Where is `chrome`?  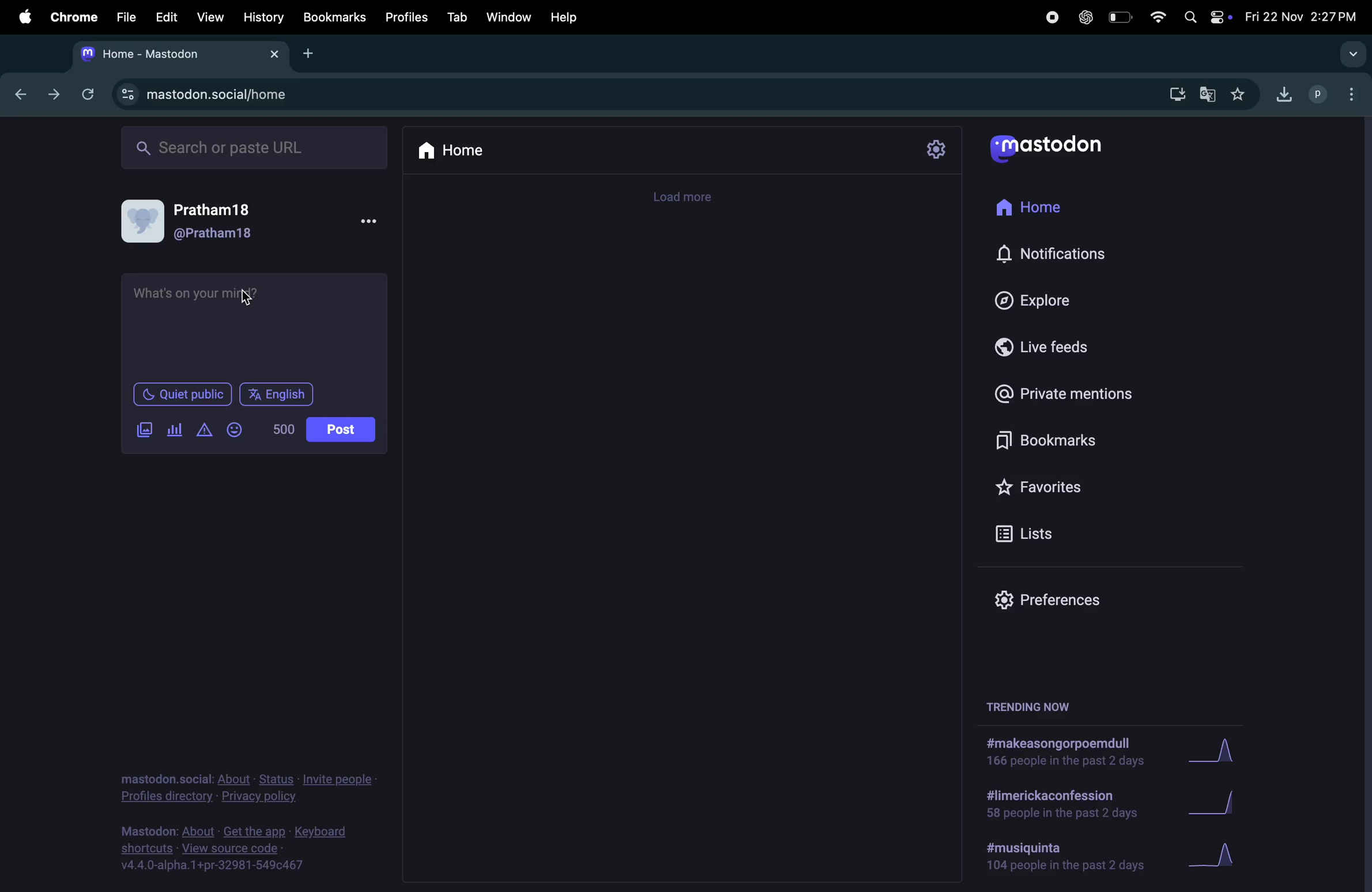 chrome is located at coordinates (74, 16).